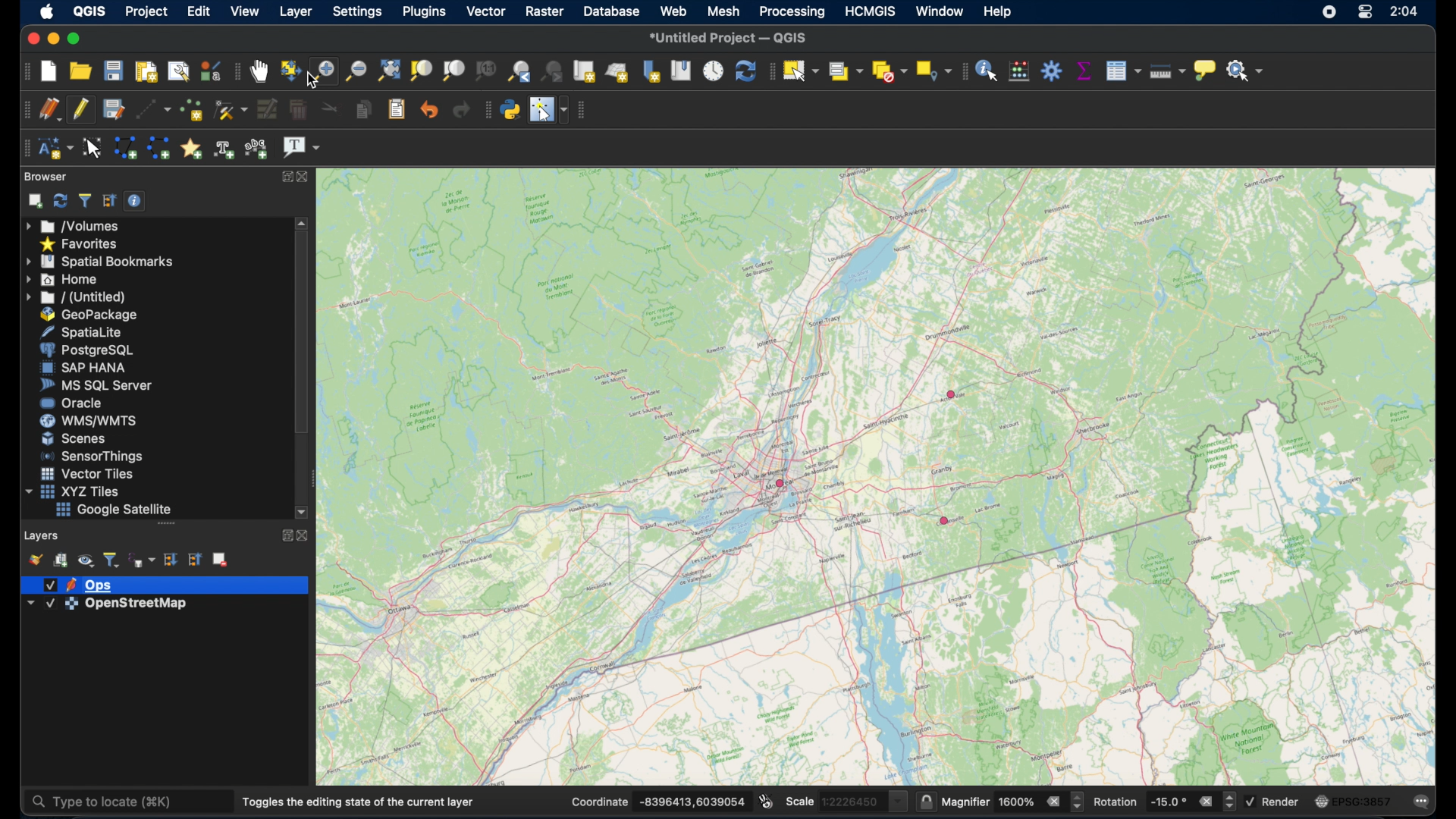 Image resolution: width=1456 pixels, height=819 pixels. What do you see at coordinates (231, 109) in the screenshot?
I see `vertex tool` at bounding box center [231, 109].